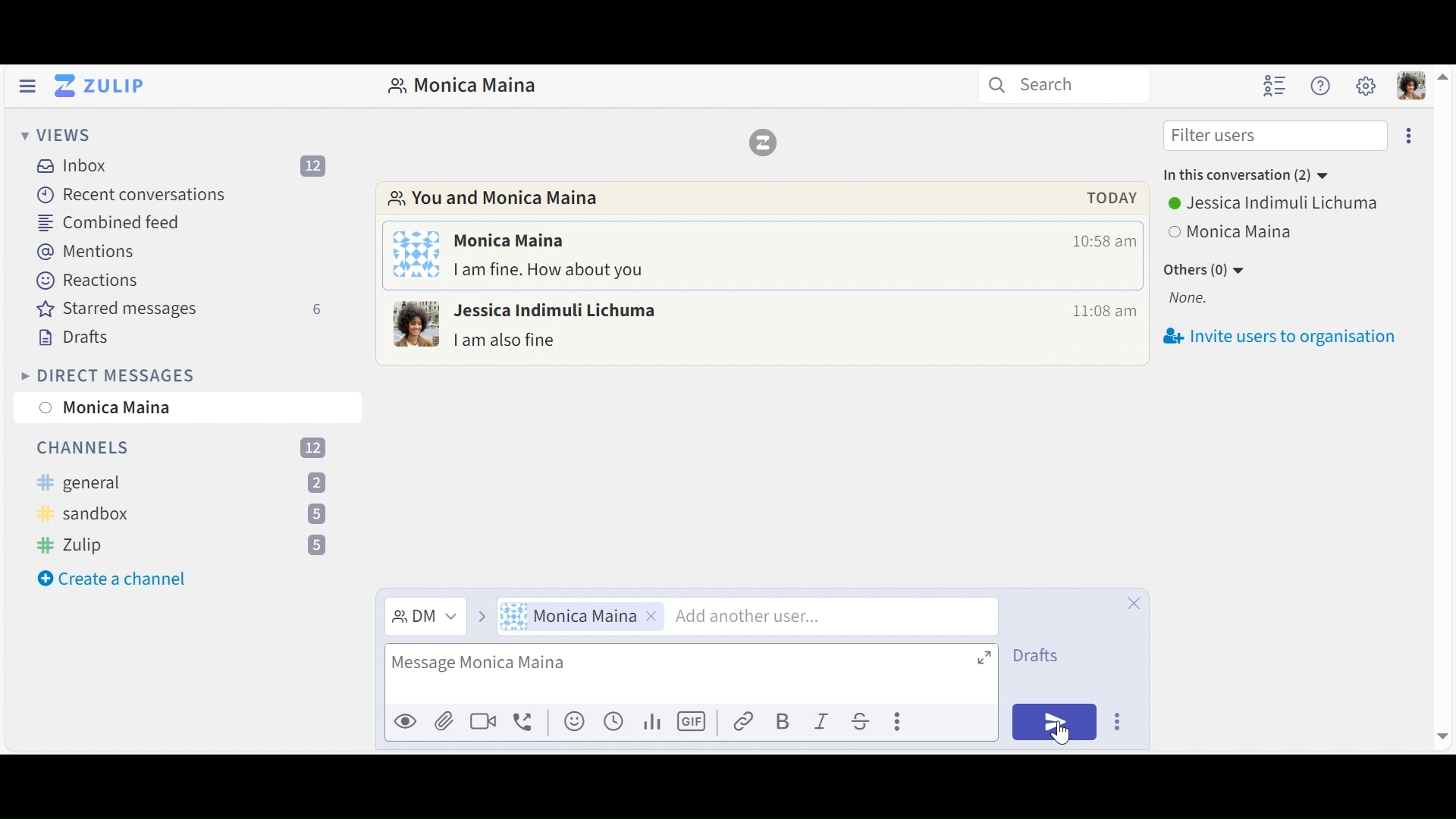  What do you see at coordinates (422, 617) in the screenshot?
I see `Direct Message dropdown menu` at bounding box center [422, 617].